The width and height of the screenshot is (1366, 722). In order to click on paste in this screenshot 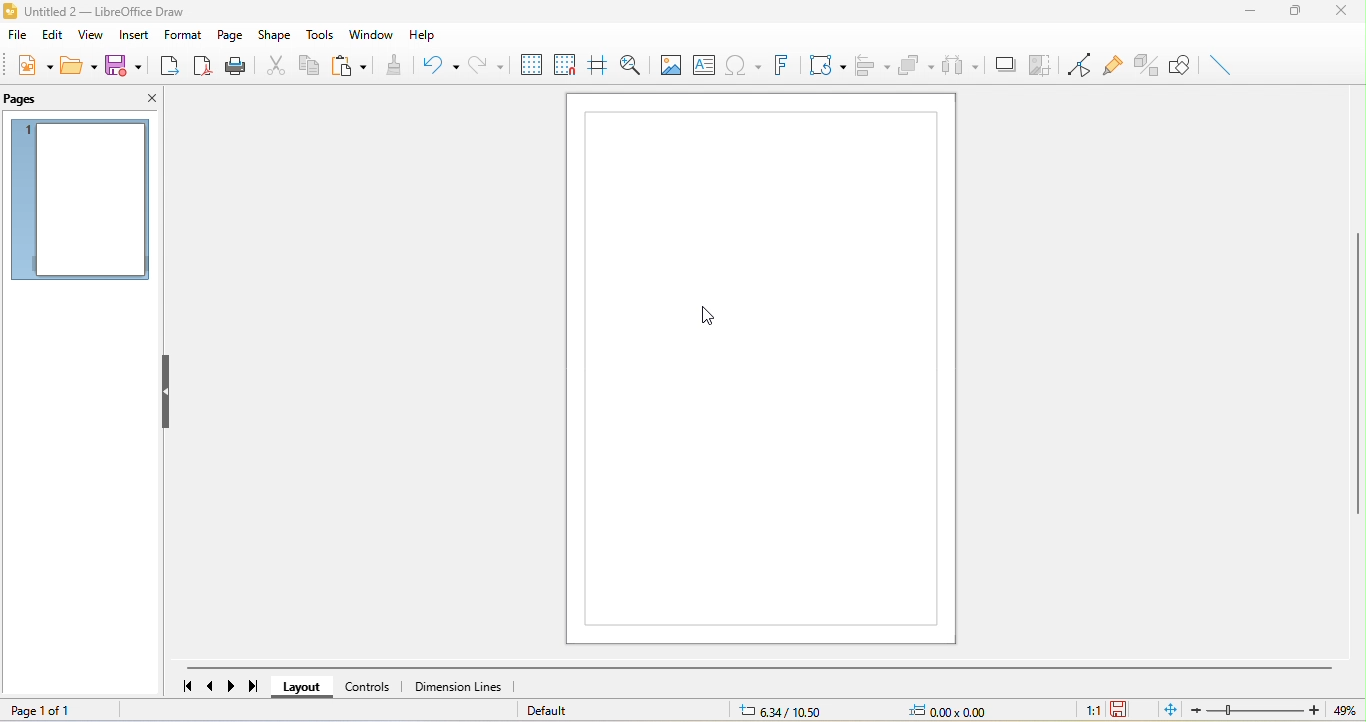, I will do `click(355, 65)`.